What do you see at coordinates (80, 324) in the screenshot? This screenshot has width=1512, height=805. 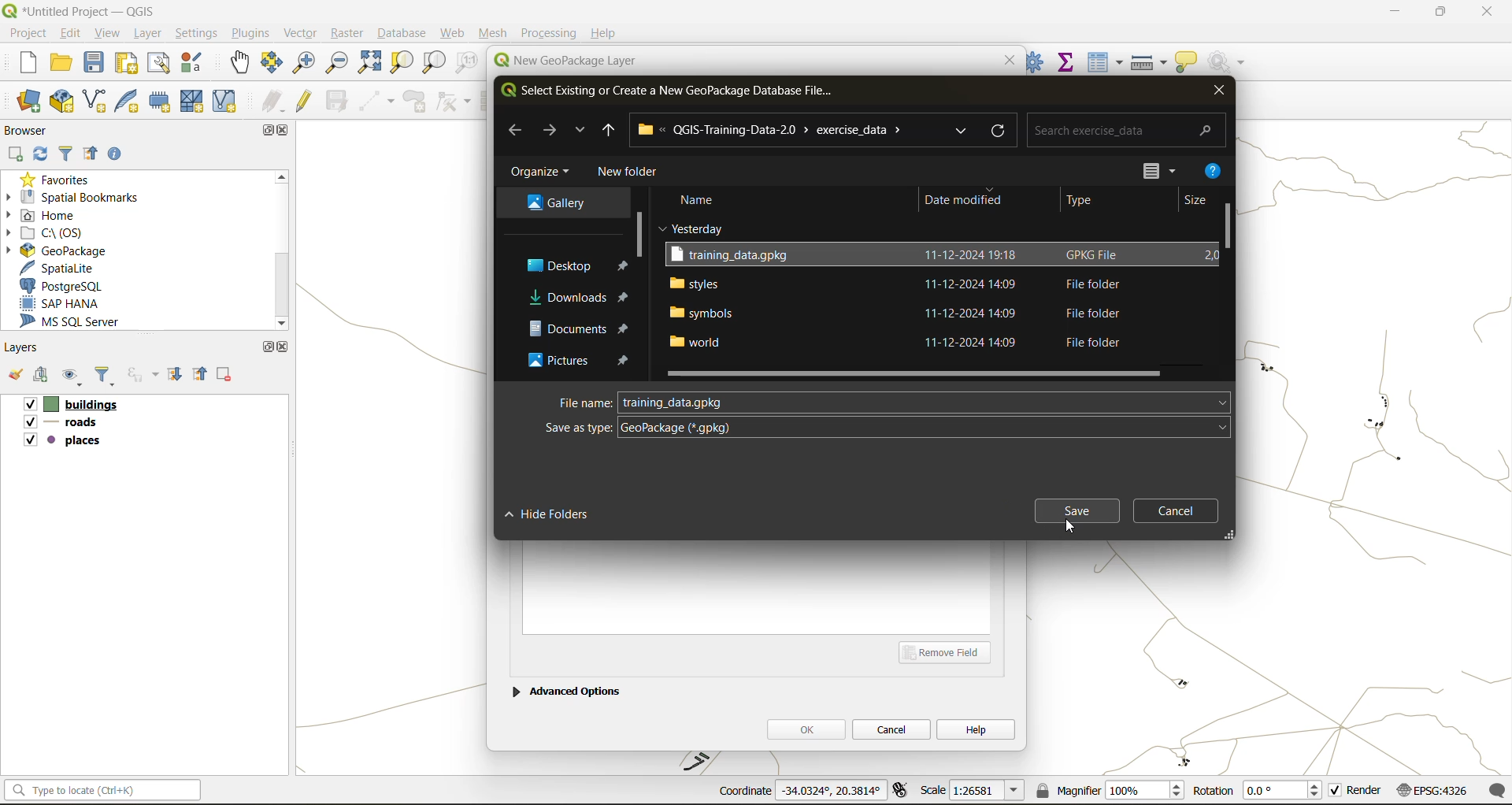 I see `ms sql server` at bounding box center [80, 324].